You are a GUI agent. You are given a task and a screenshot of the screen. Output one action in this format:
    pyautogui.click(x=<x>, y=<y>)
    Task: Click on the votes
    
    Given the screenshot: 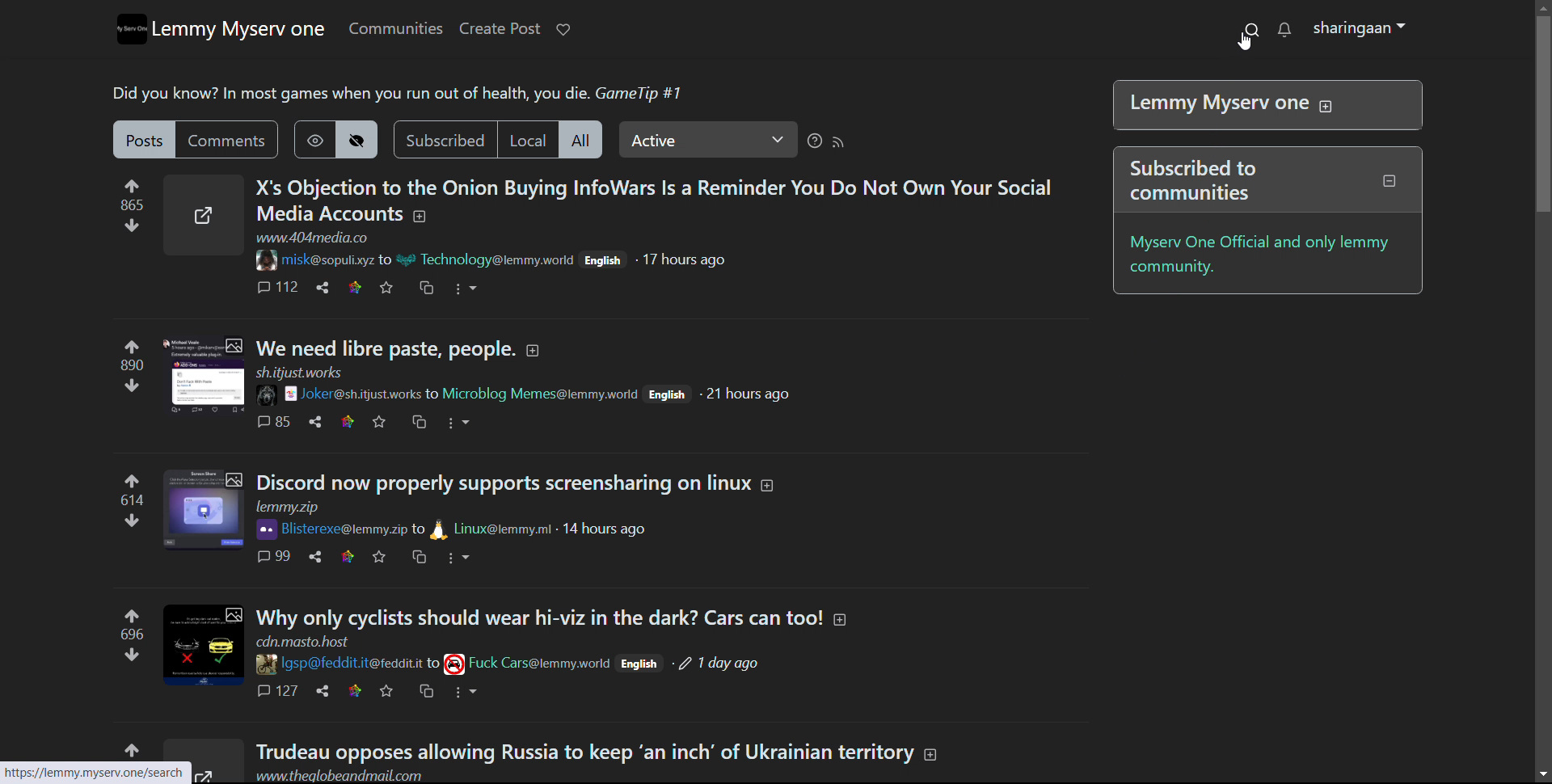 What is the action you would take?
    pyautogui.click(x=124, y=502)
    